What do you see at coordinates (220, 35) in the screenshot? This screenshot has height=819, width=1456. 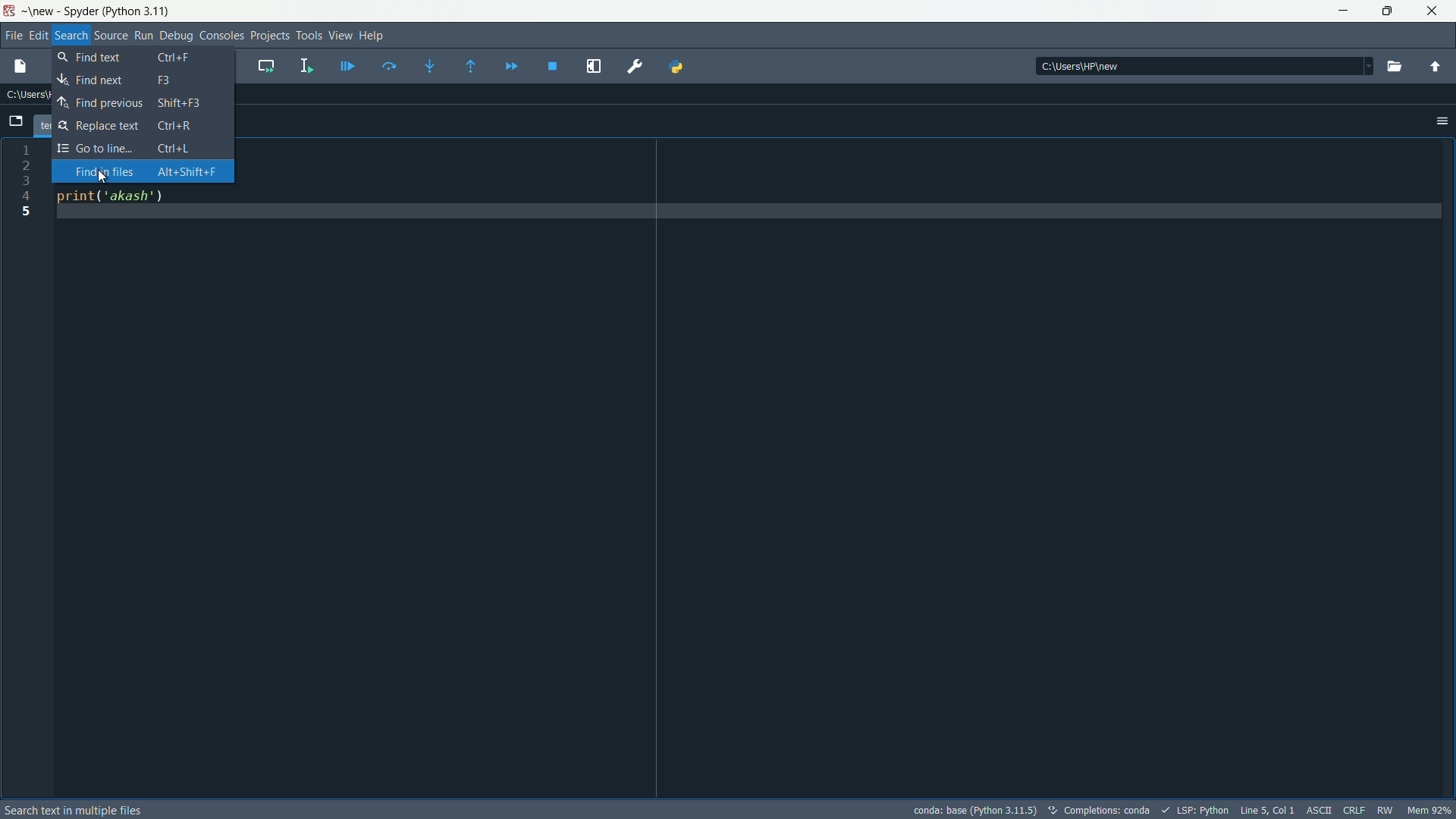 I see `Consoles Menu` at bounding box center [220, 35].